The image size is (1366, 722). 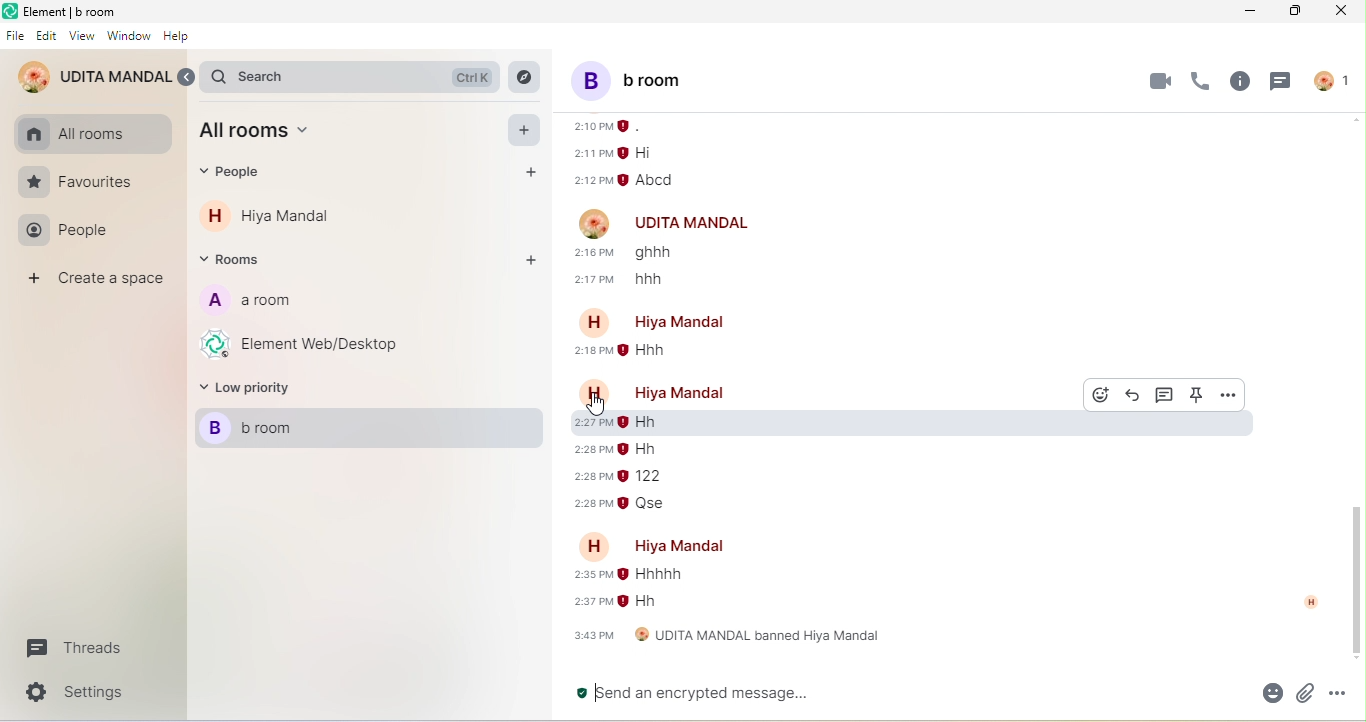 I want to click on sending message time, so click(x=586, y=504).